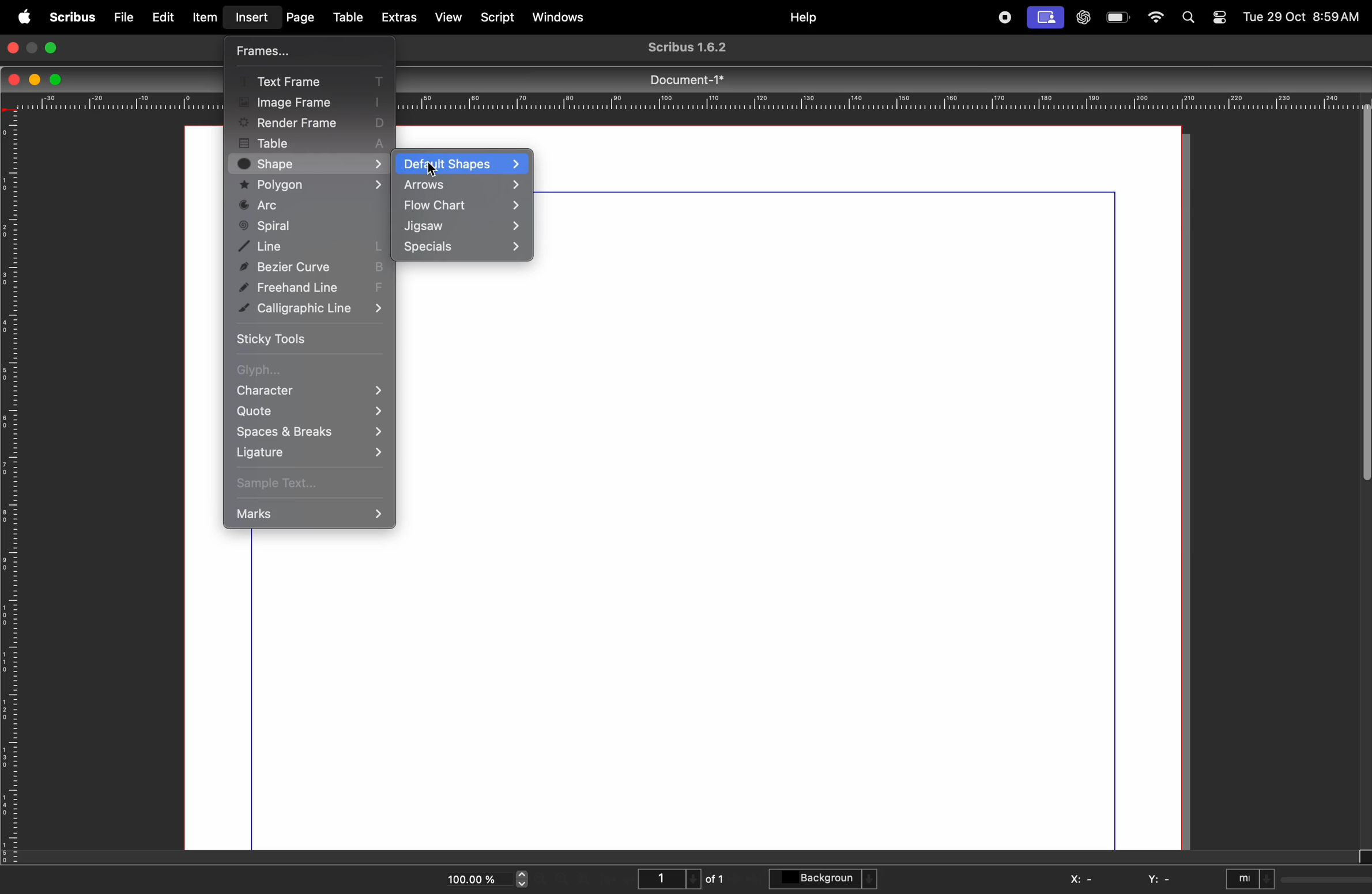 The image size is (1372, 894). Describe the element at coordinates (313, 310) in the screenshot. I see `caligraphic line` at that location.